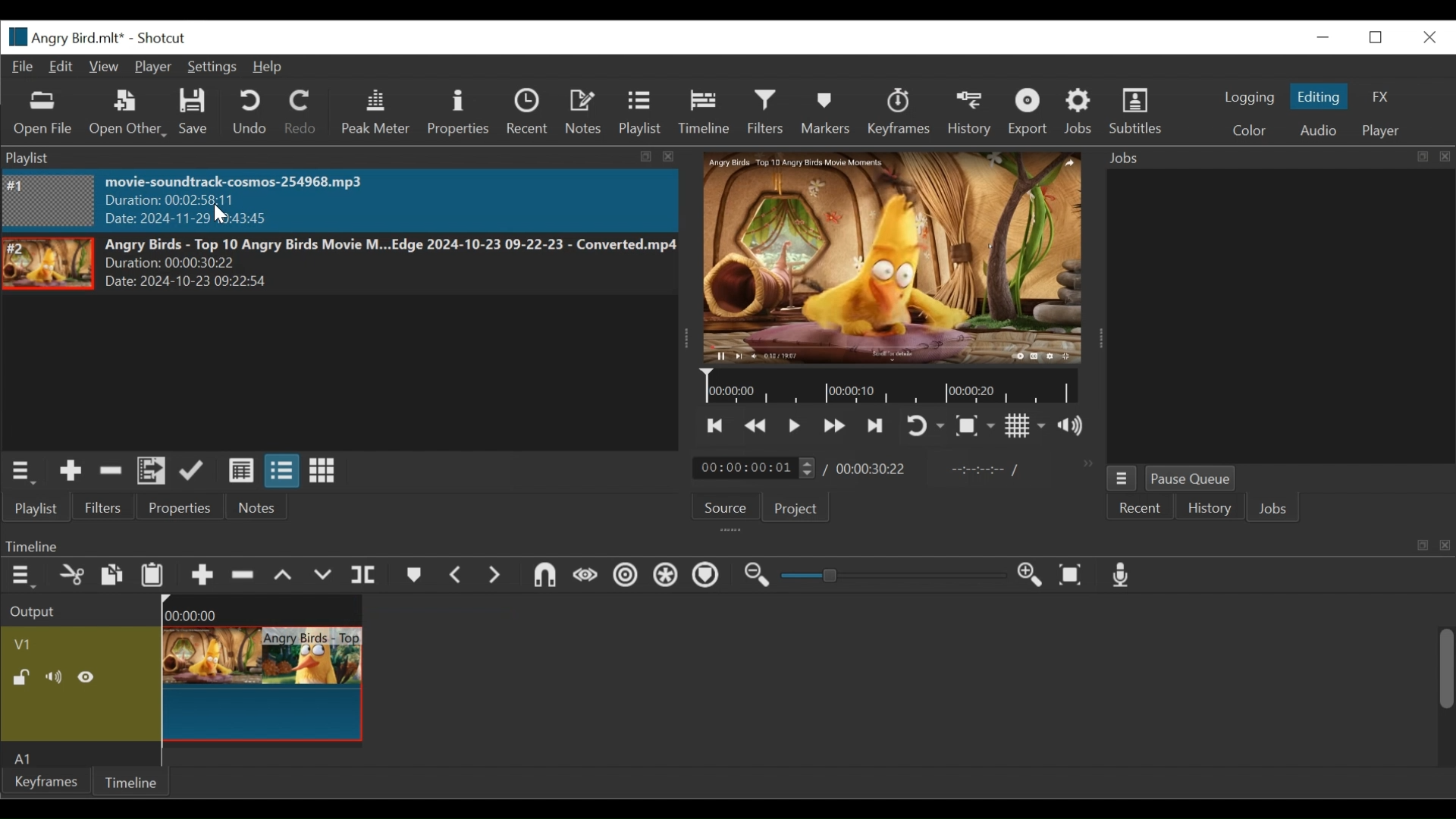  I want to click on Skip to the next point, so click(877, 426).